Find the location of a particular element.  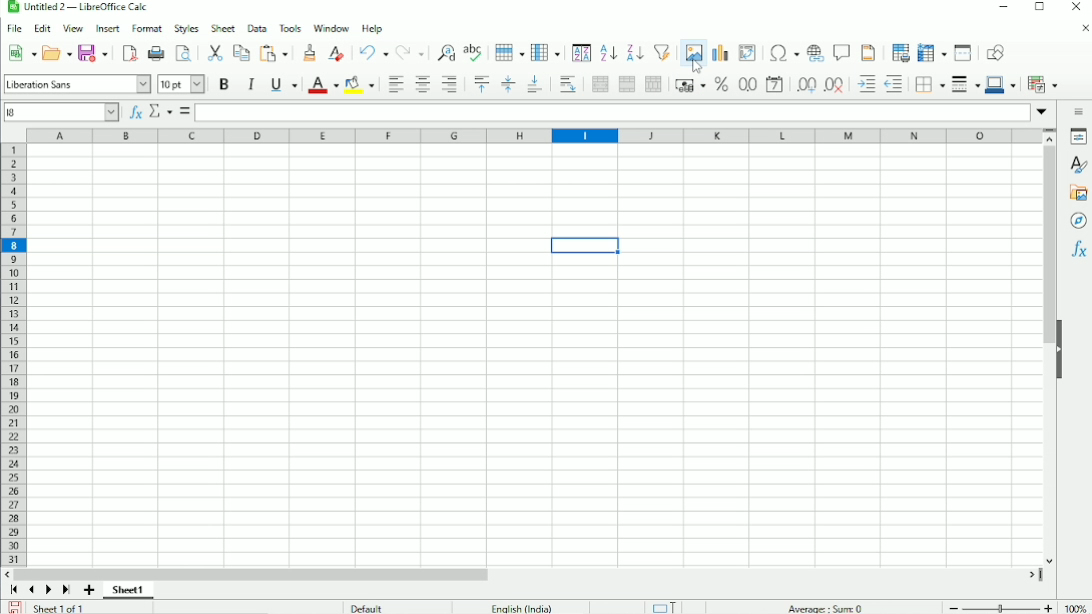

Horizontal scrollbar is located at coordinates (528, 573).